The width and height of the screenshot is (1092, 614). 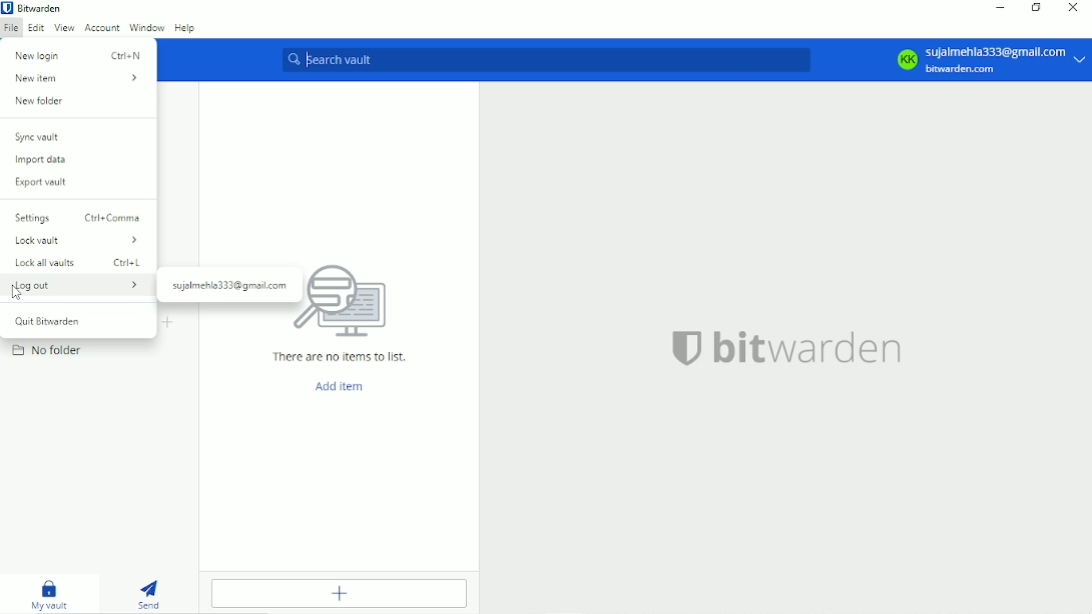 What do you see at coordinates (47, 182) in the screenshot?
I see `Export vault` at bounding box center [47, 182].